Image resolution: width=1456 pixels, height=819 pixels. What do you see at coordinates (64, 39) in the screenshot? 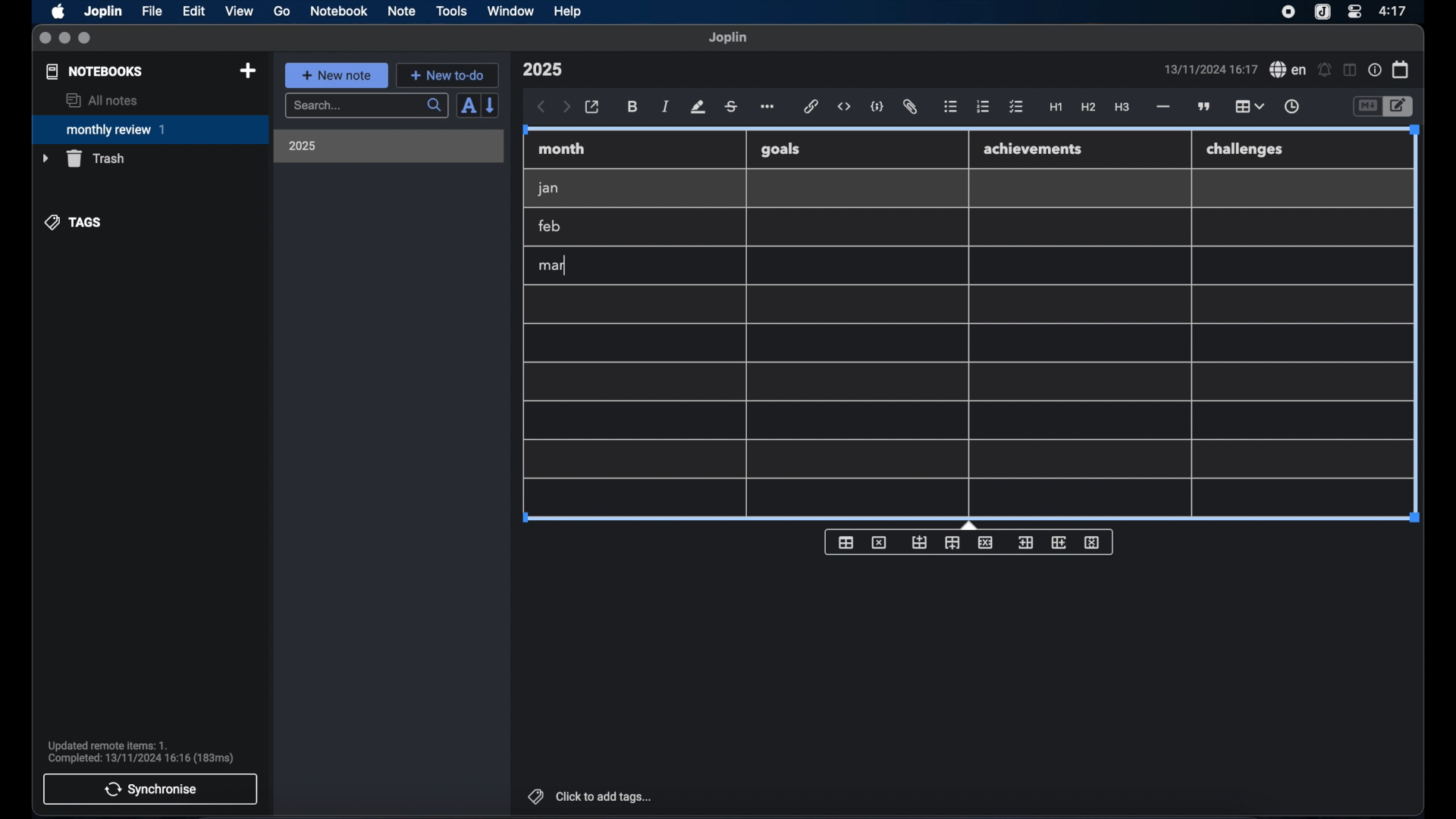
I see `minimize` at bounding box center [64, 39].